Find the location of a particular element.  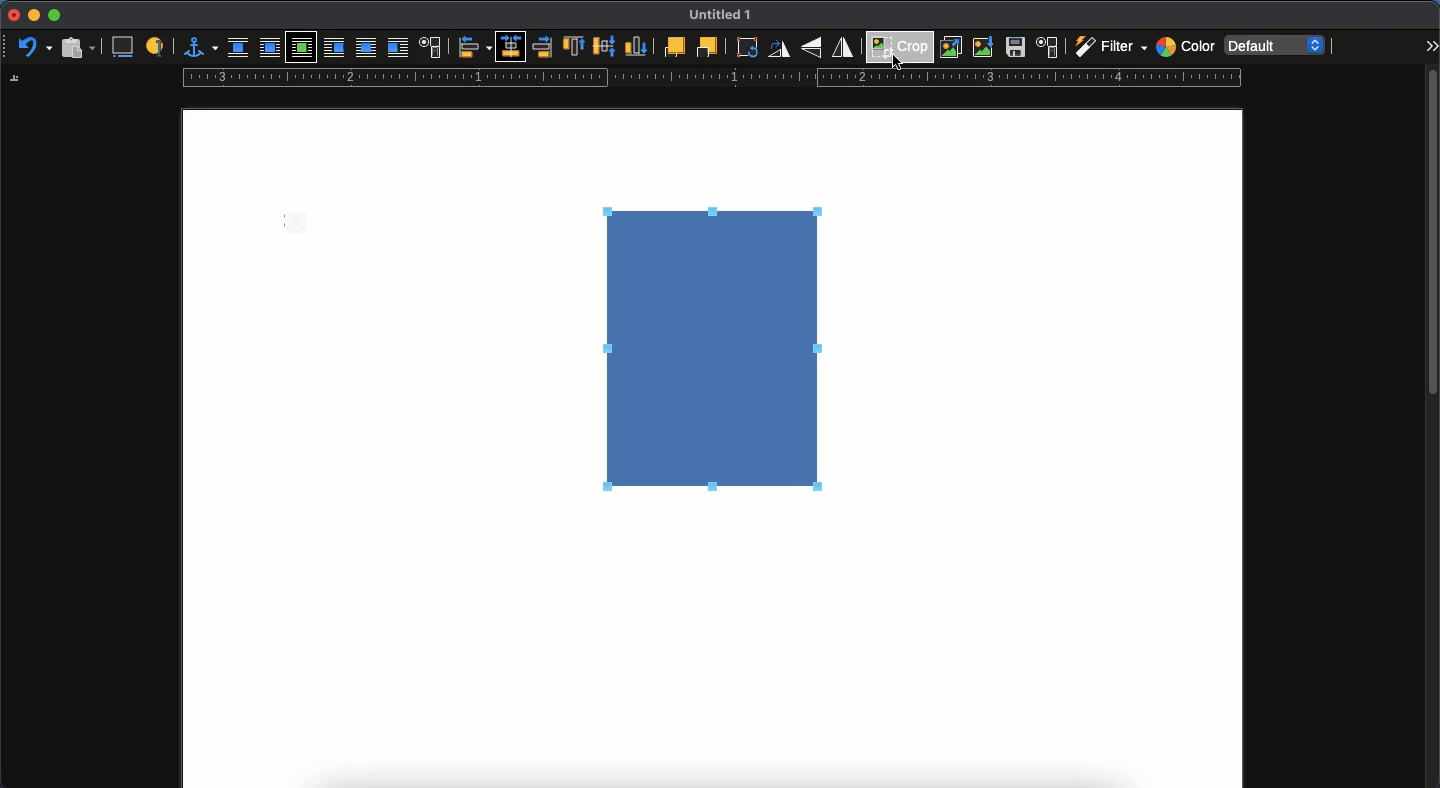

filter is located at coordinates (1109, 47).